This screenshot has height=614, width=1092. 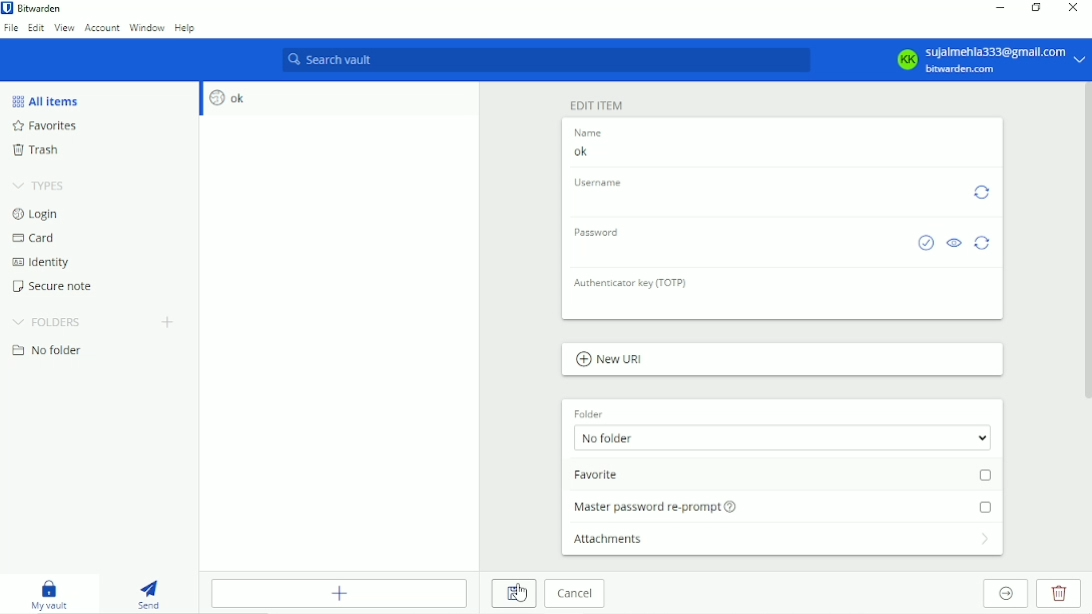 What do you see at coordinates (785, 473) in the screenshot?
I see `mark as favorite option unlicked` at bounding box center [785, 473].